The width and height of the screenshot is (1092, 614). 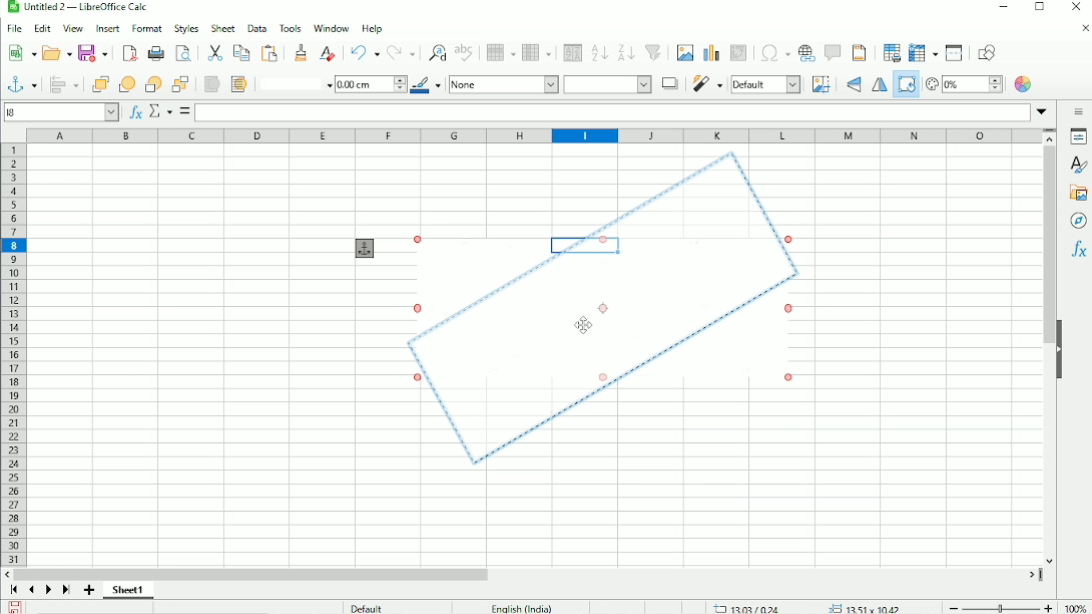 What do you see at coordinates (212, 84) in the screenshot?
I see `To foreground` at bounding box center [212, 84].